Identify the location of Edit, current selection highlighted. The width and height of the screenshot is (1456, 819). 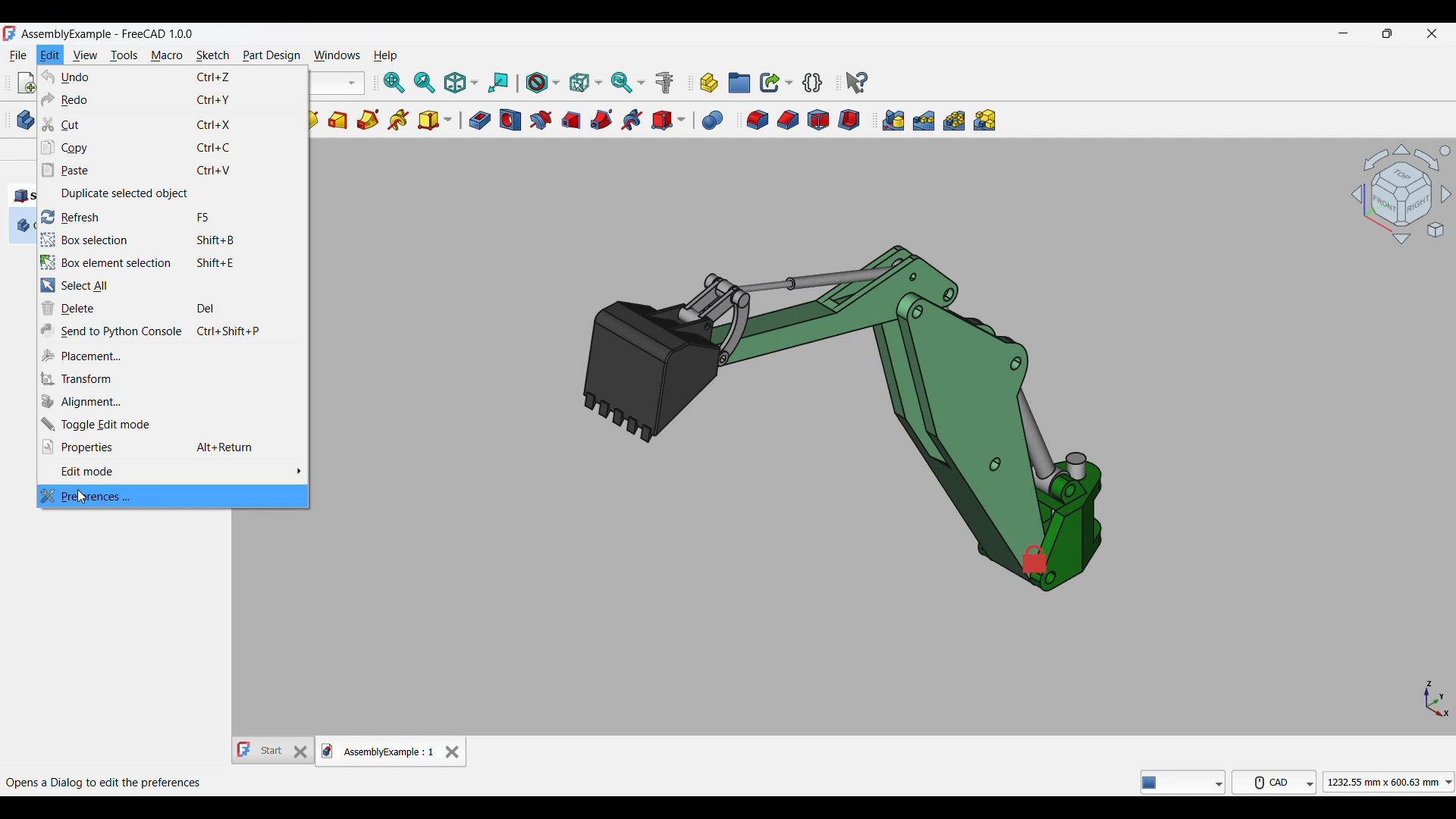
(50, 55).